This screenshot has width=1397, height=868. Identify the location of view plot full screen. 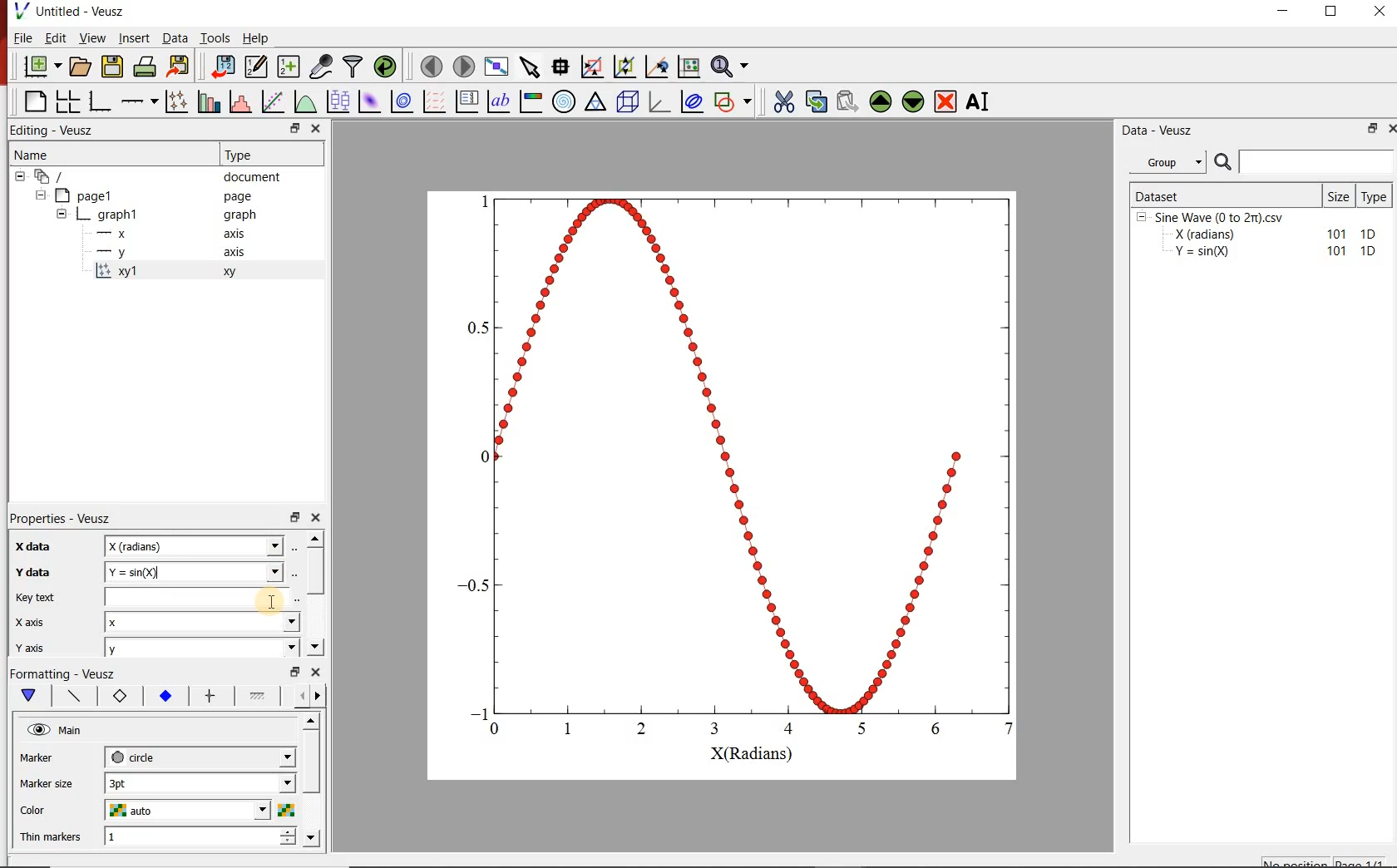
(496, 66).